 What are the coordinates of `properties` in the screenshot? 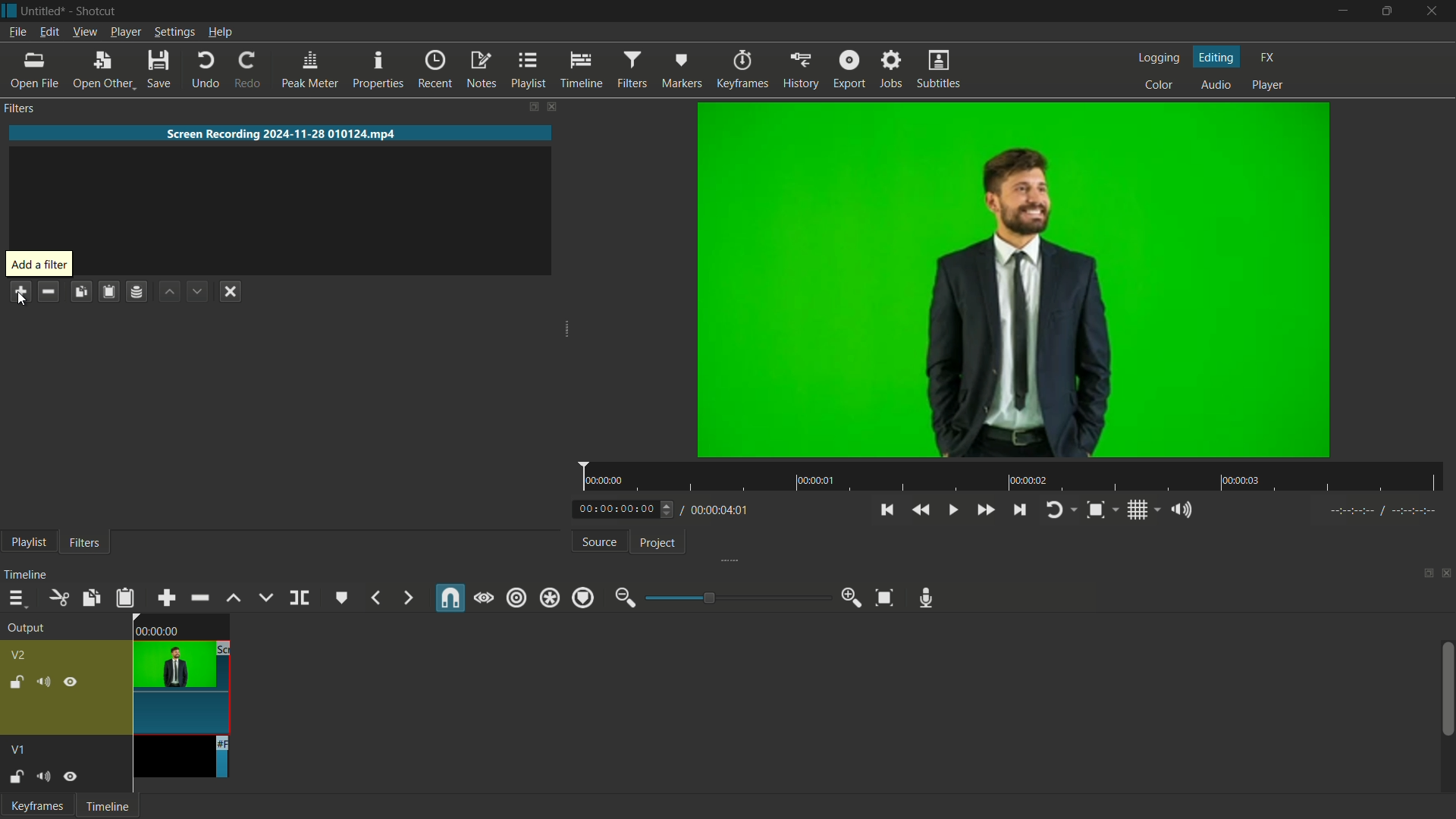 It's located at (377, 70).